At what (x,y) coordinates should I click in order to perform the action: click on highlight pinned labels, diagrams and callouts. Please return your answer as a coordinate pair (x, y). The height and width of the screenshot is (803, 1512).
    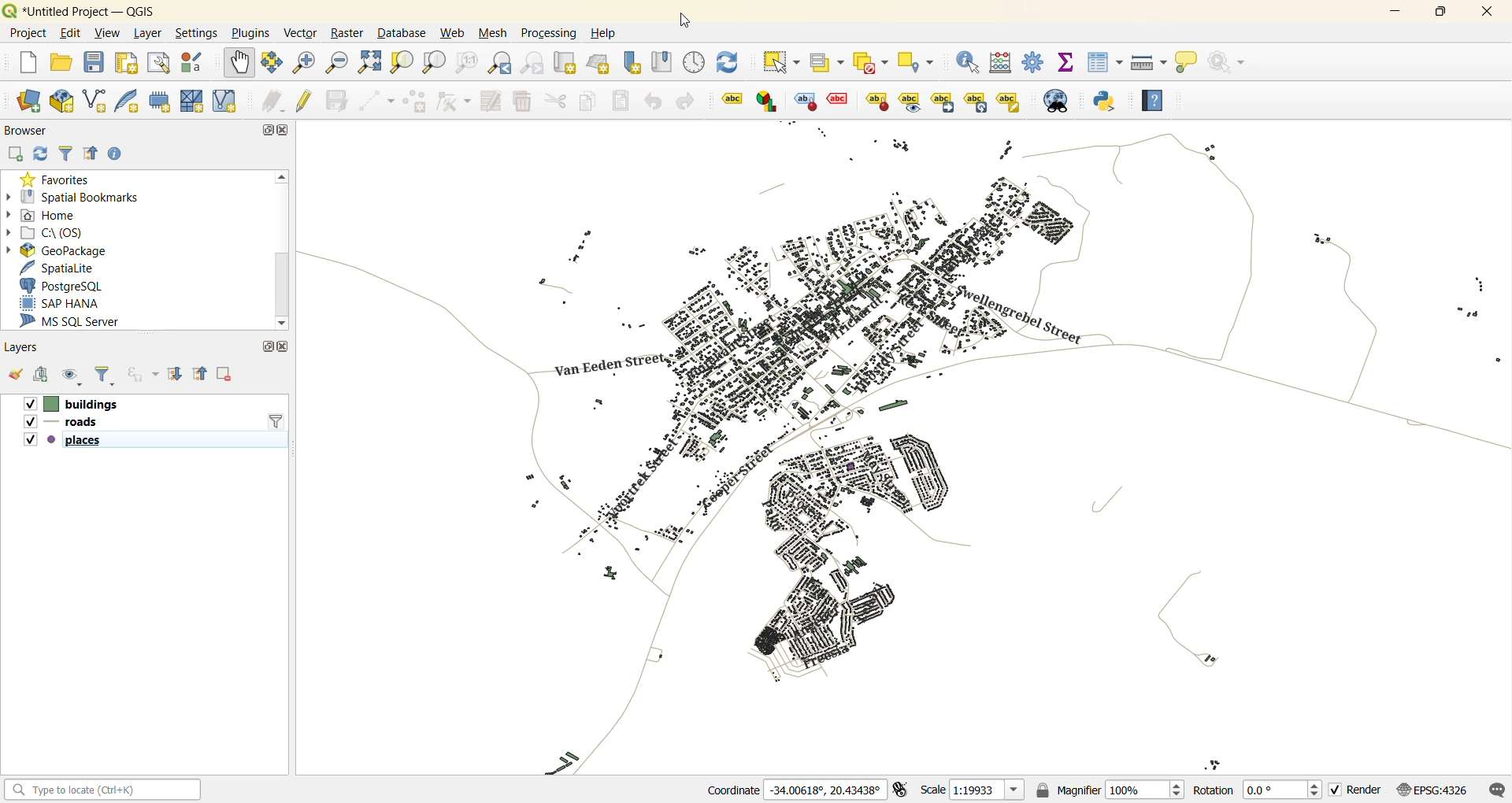
    Looking at the image, I should click on (803, 102).